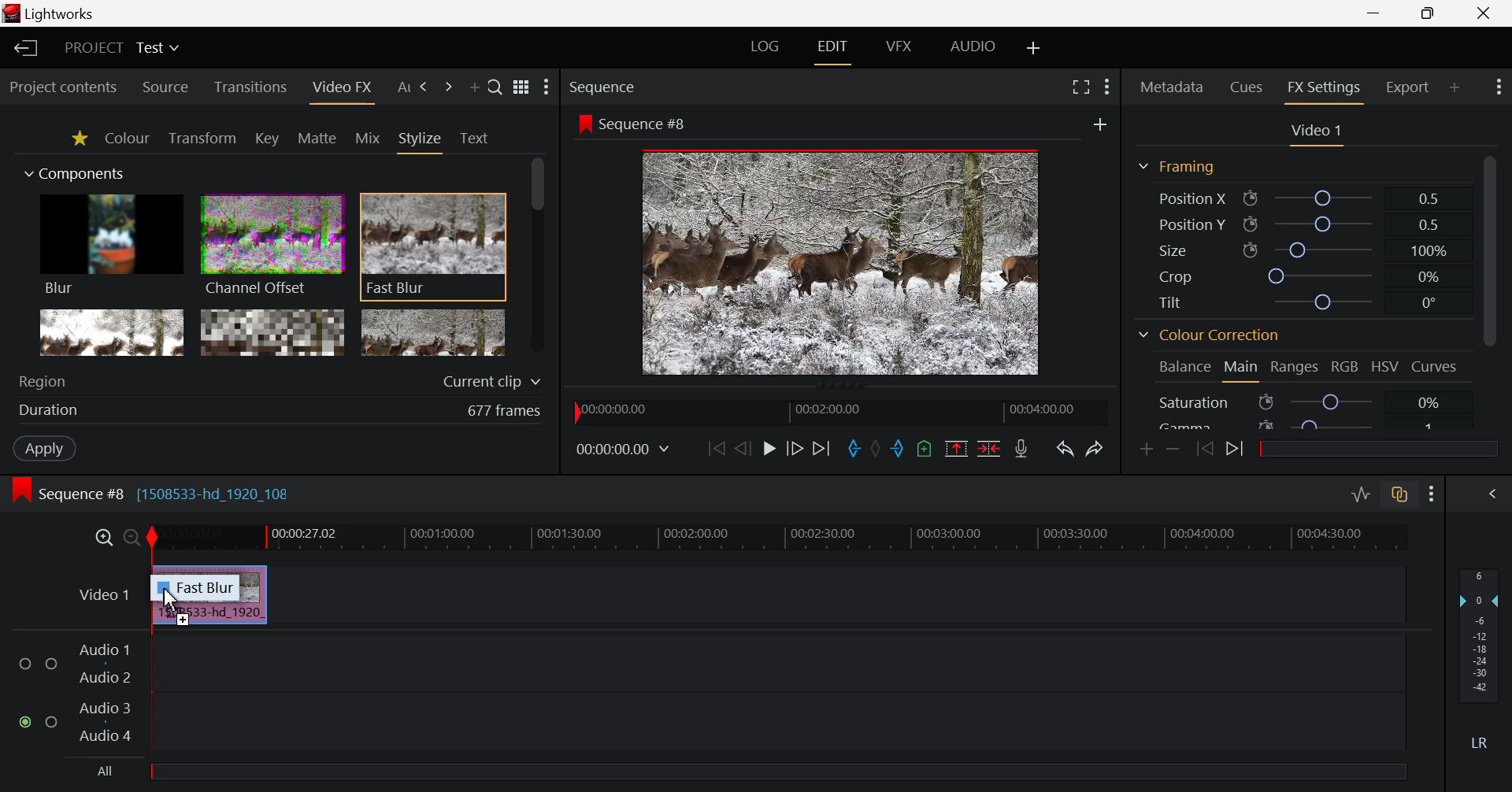  What do you see at coordinates (606, 87) in the screenshot?
I see `Sequence ` at bounding box center [606, 87].